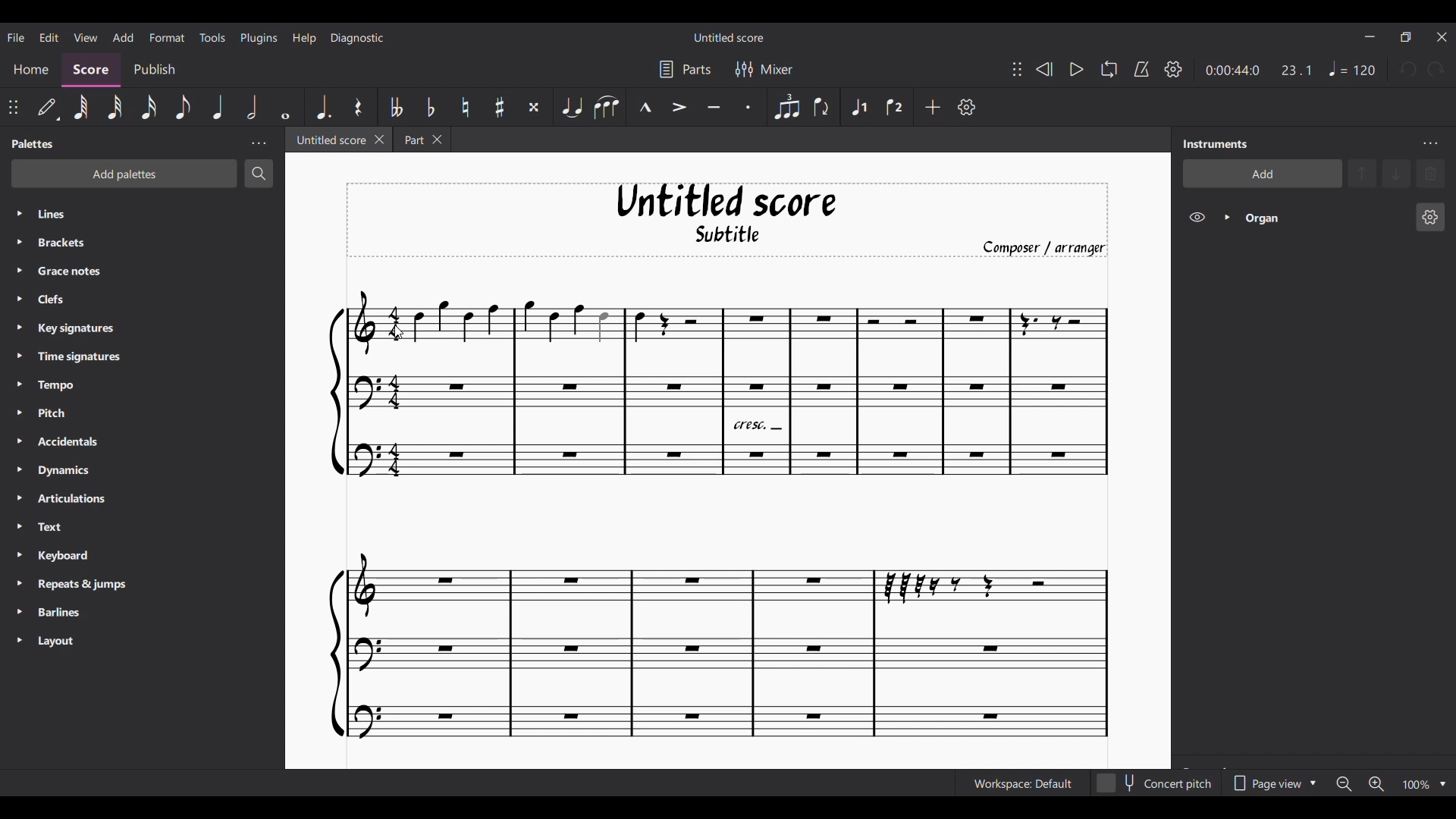 The image size is (1456, 819). I want to click on Tenuto, so click(713, 107).